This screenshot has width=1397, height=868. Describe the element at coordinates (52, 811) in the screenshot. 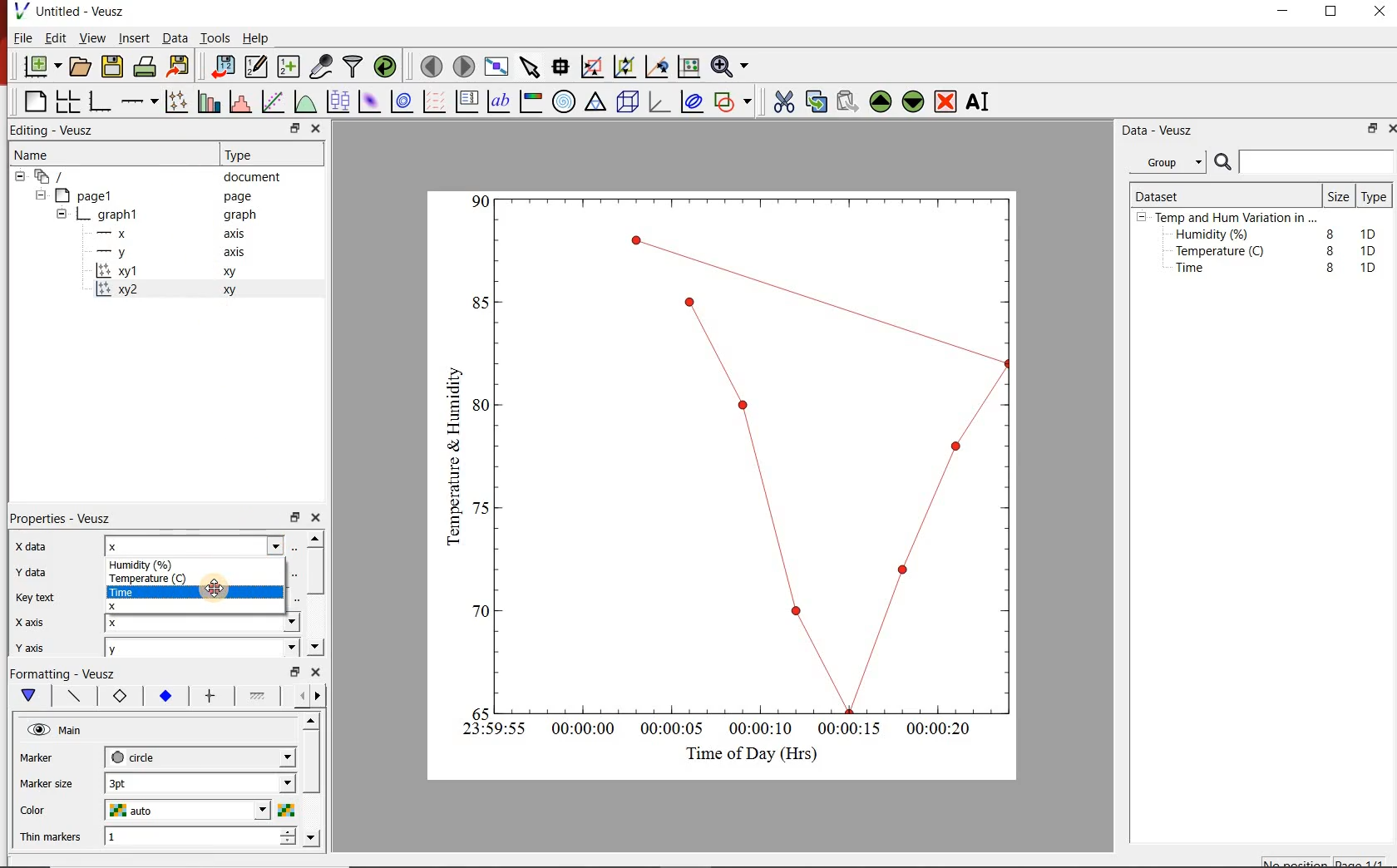

I see `Color` at that location.